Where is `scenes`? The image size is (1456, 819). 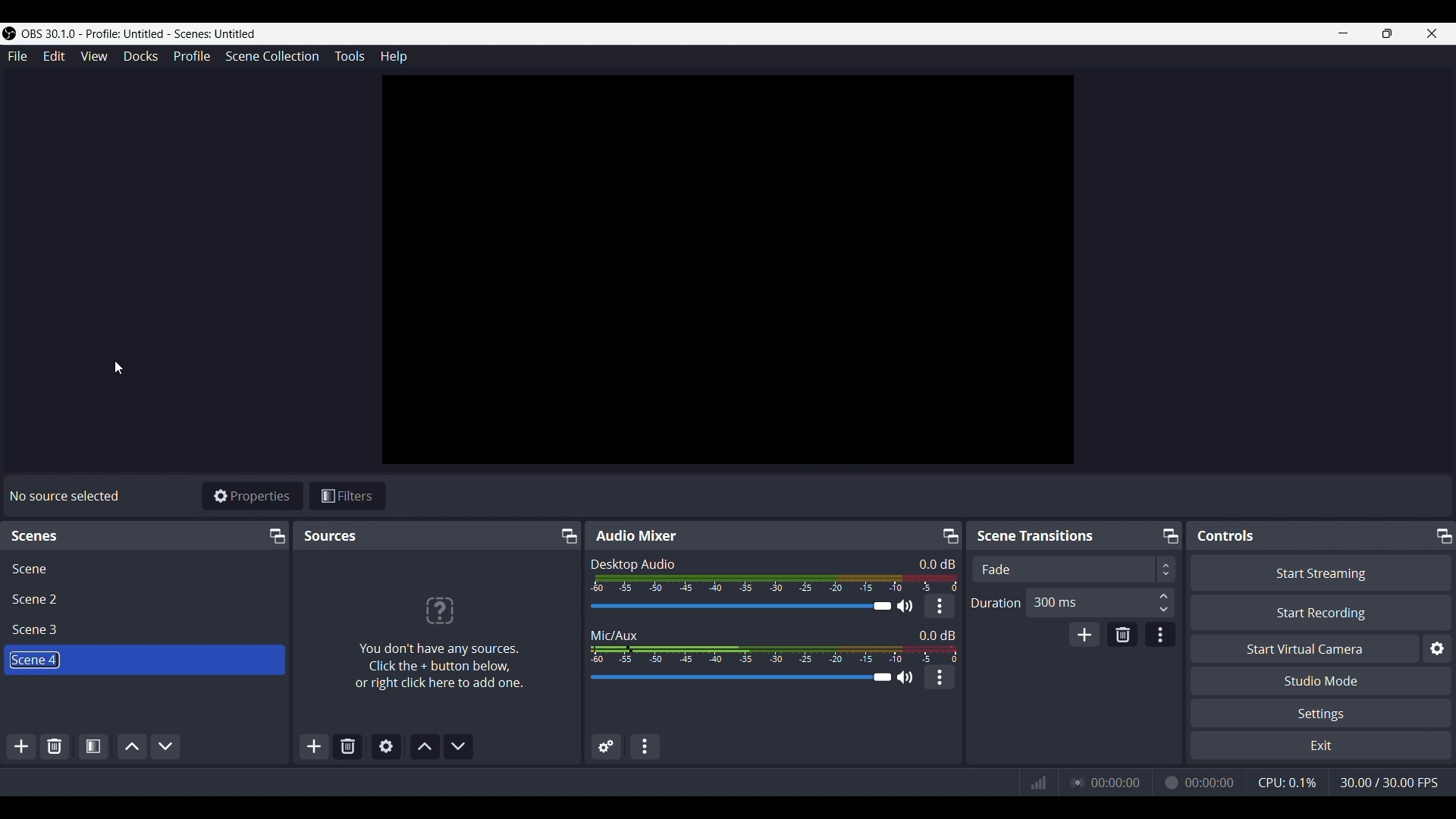
scenes is located at coordinates (36, 538).